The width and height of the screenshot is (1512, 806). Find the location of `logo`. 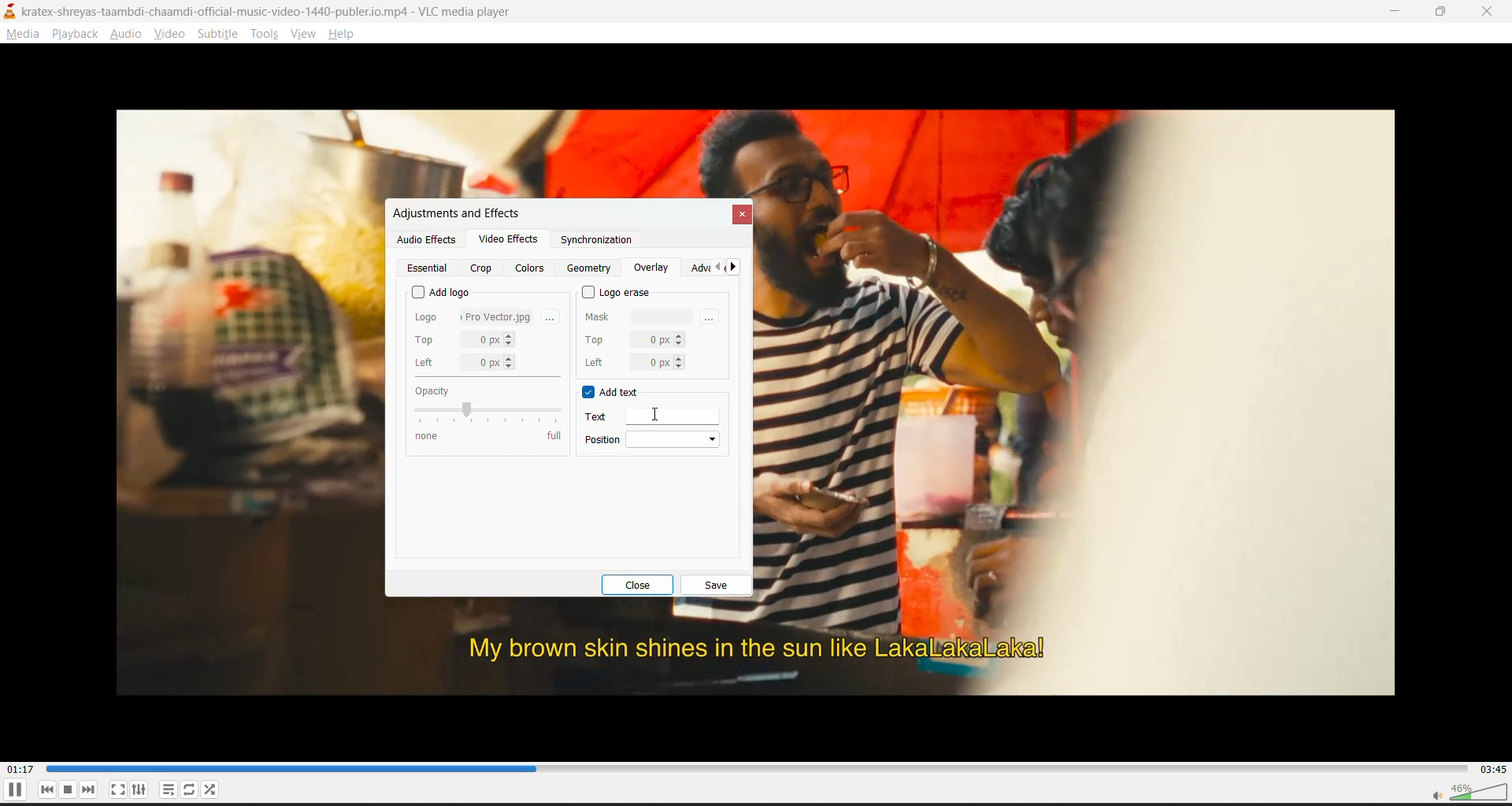

logo is located at coordinates (474, 315).